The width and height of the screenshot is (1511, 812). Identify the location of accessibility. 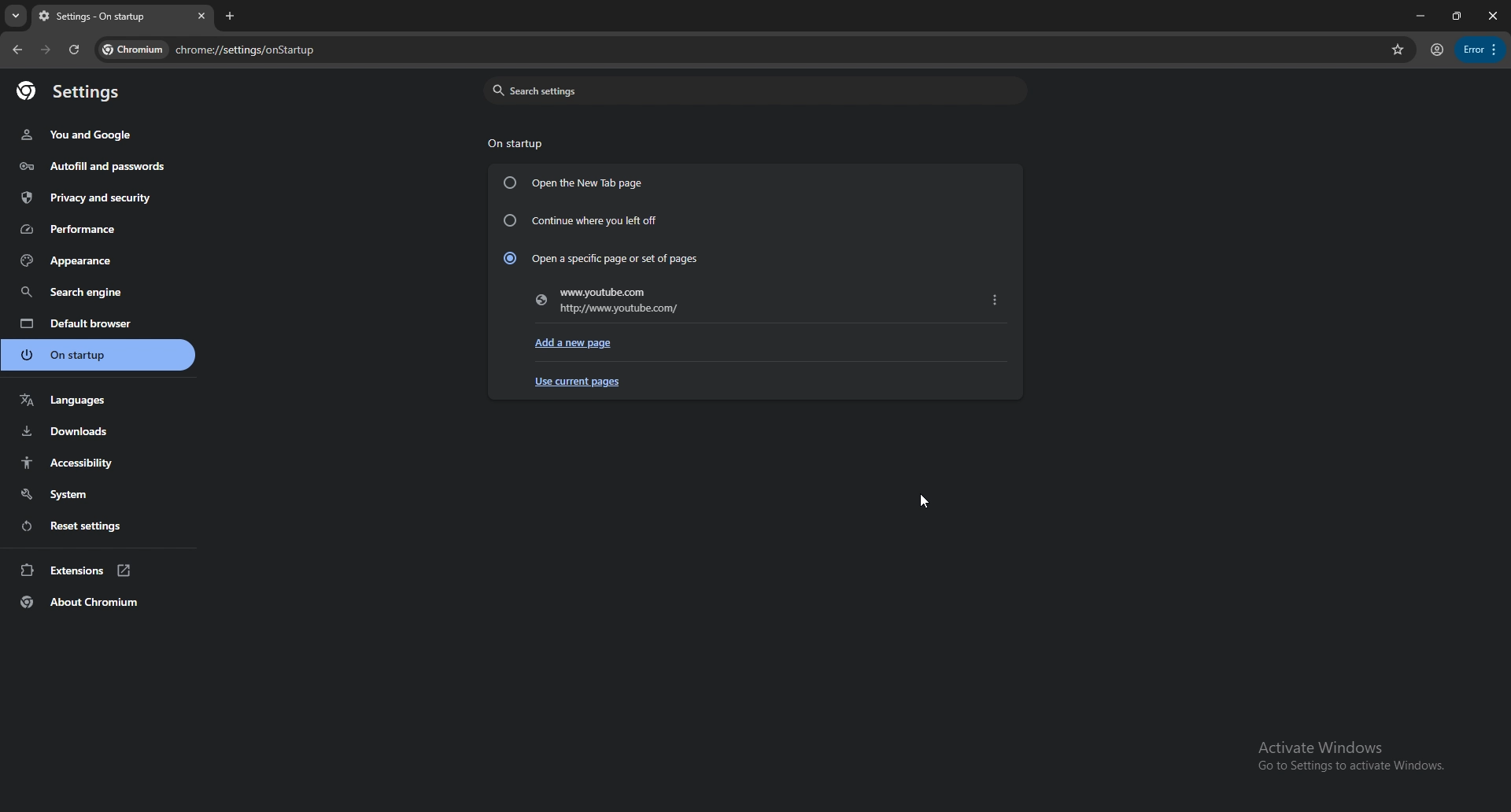
(101, 463).